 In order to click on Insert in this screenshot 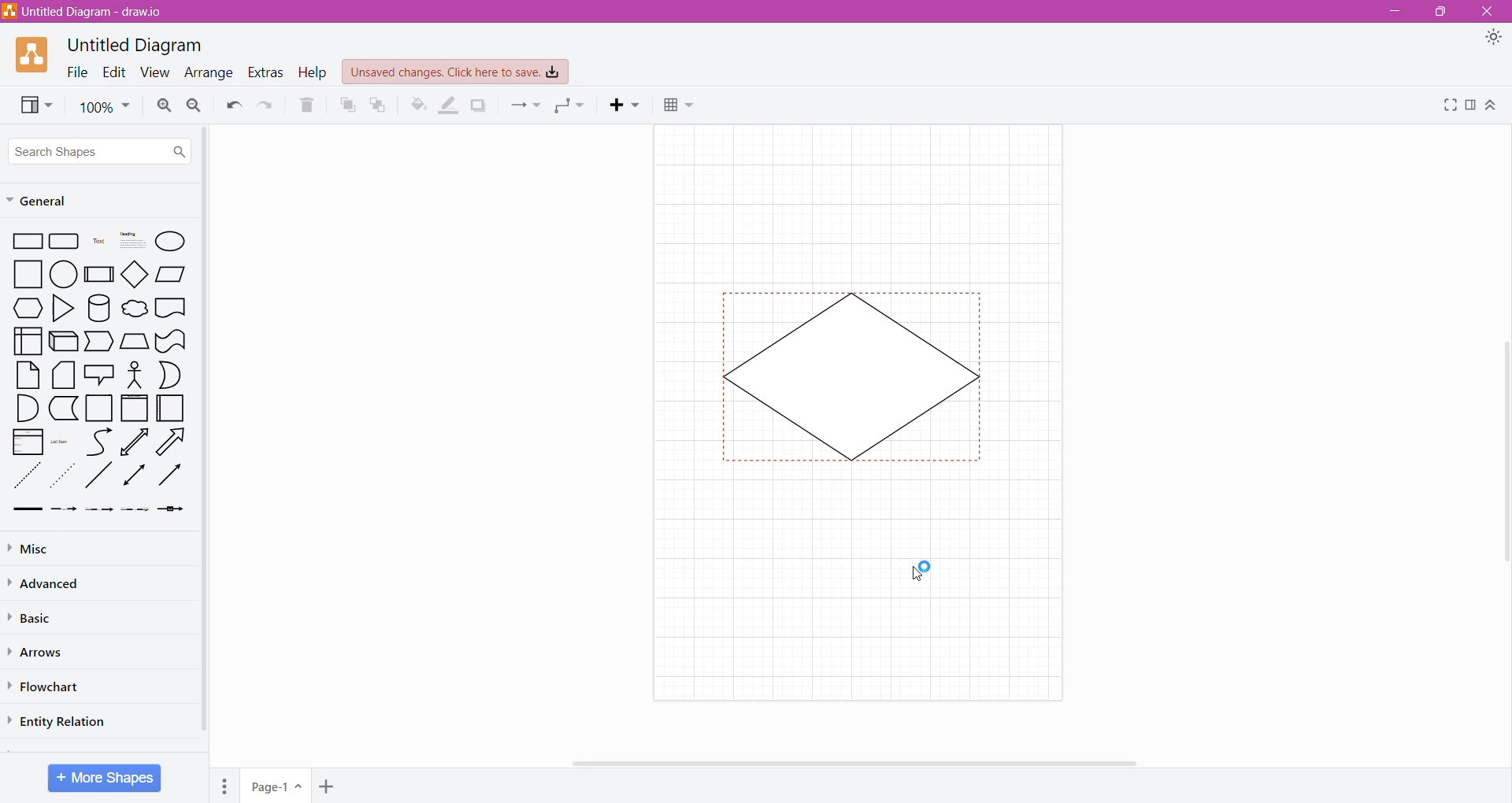, I will do `click(623, 105)`.